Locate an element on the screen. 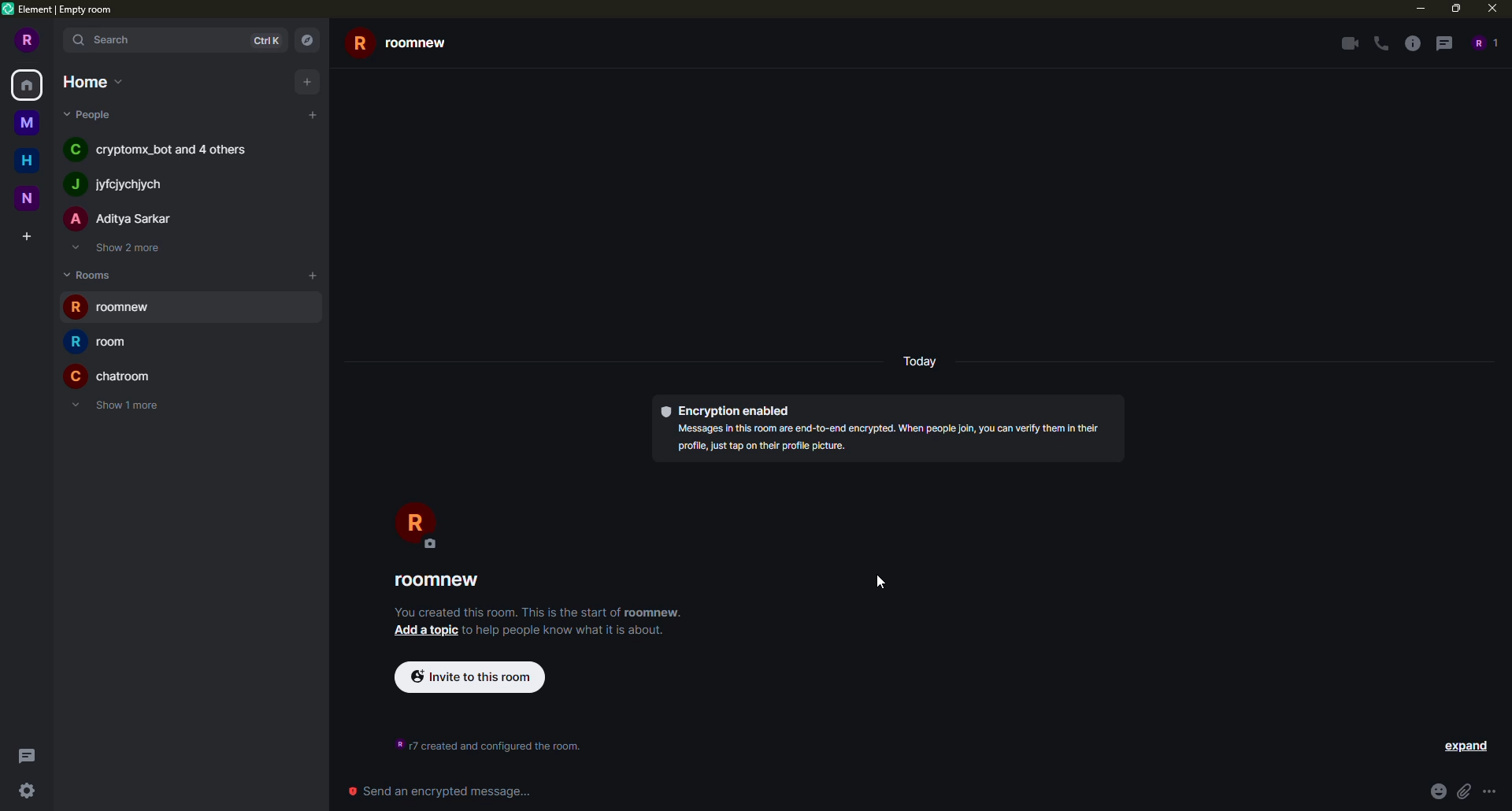  video call is located at coordinates (1347, 42).